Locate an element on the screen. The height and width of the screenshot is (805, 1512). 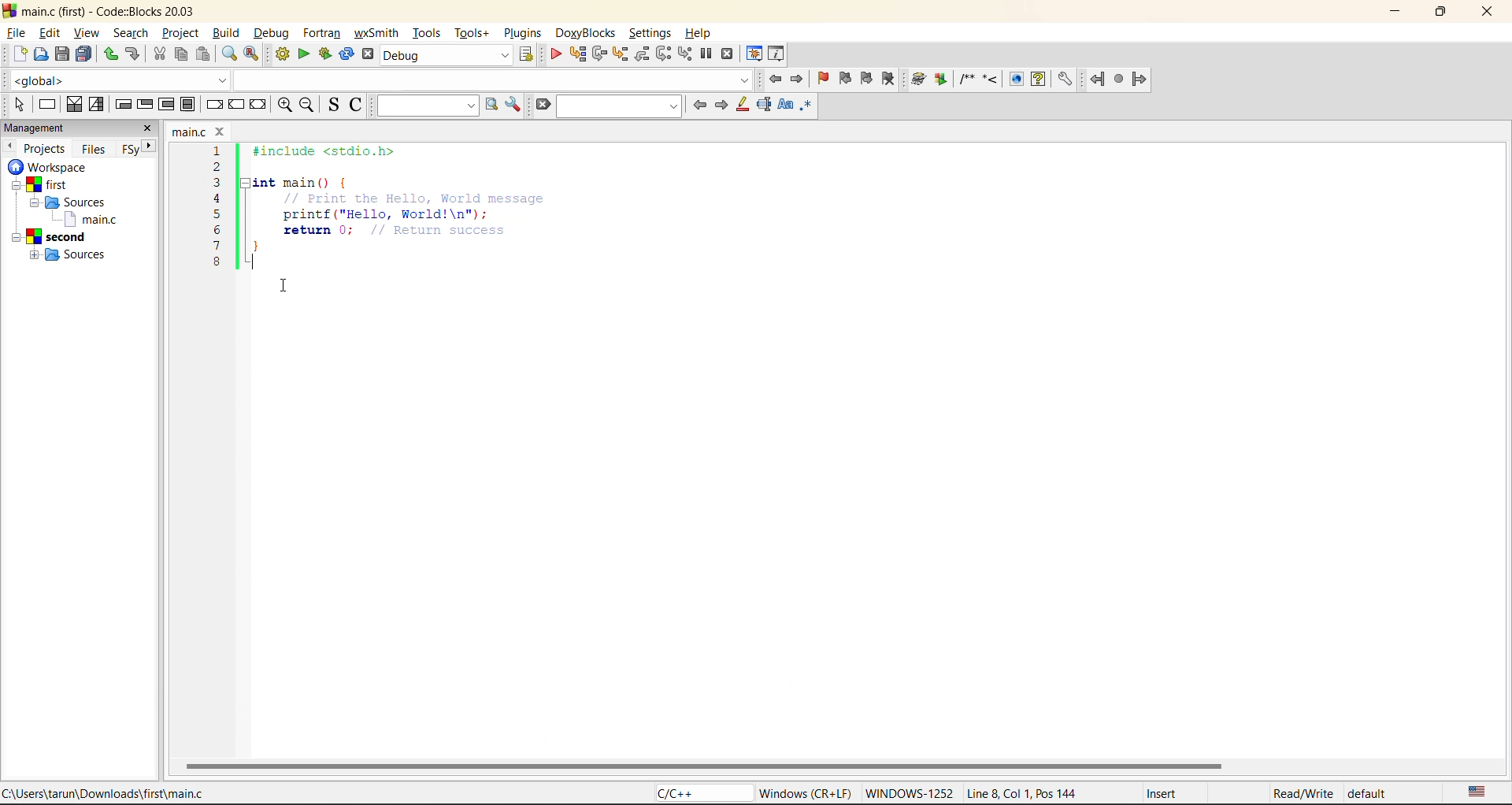
show options window is located at coordinates (513, 106).